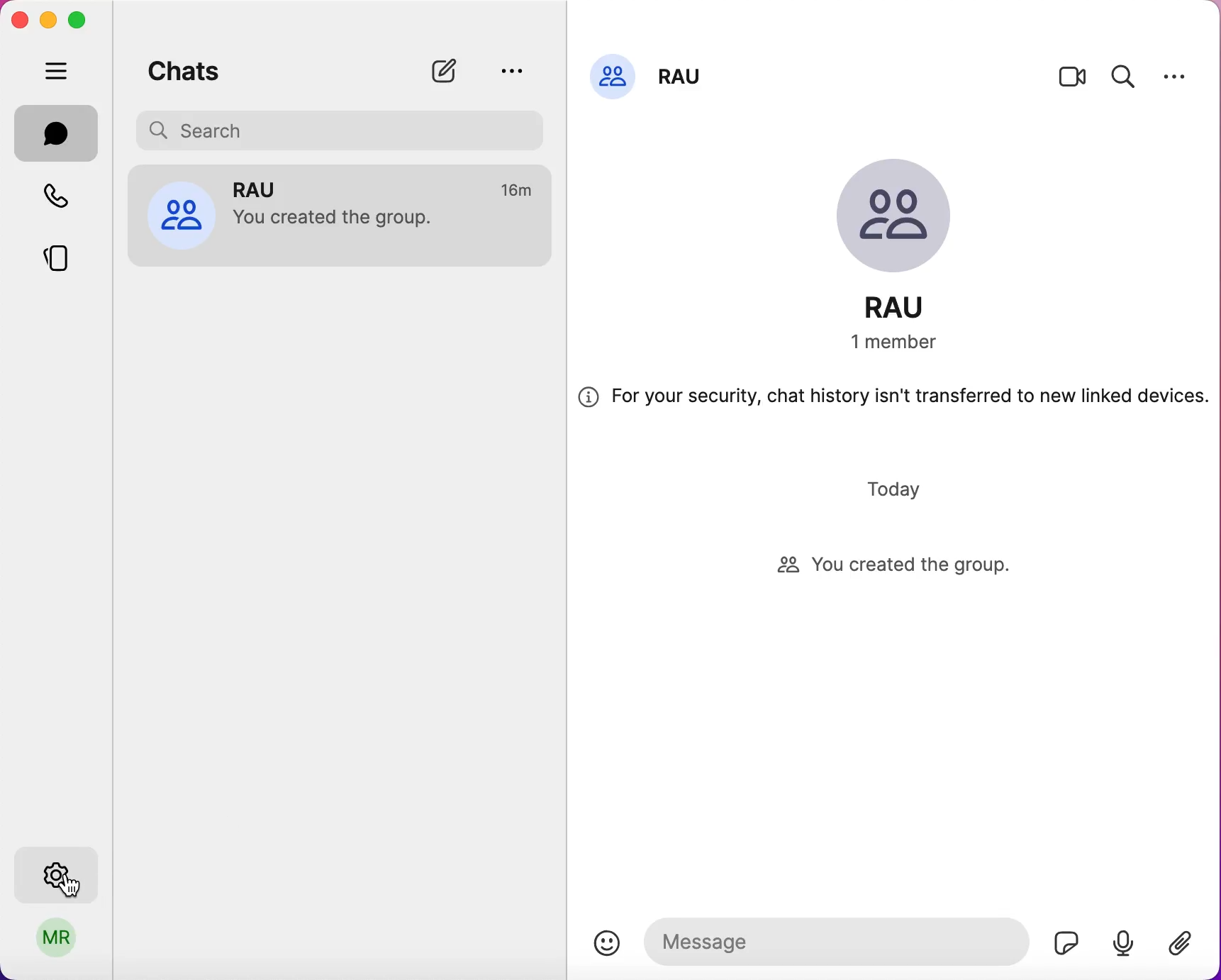 Image resolution: width=1221 pixels, height=980 pixels. Describe the element at coordinates (910, 307) in the screenshot. I see `group name` at that location.